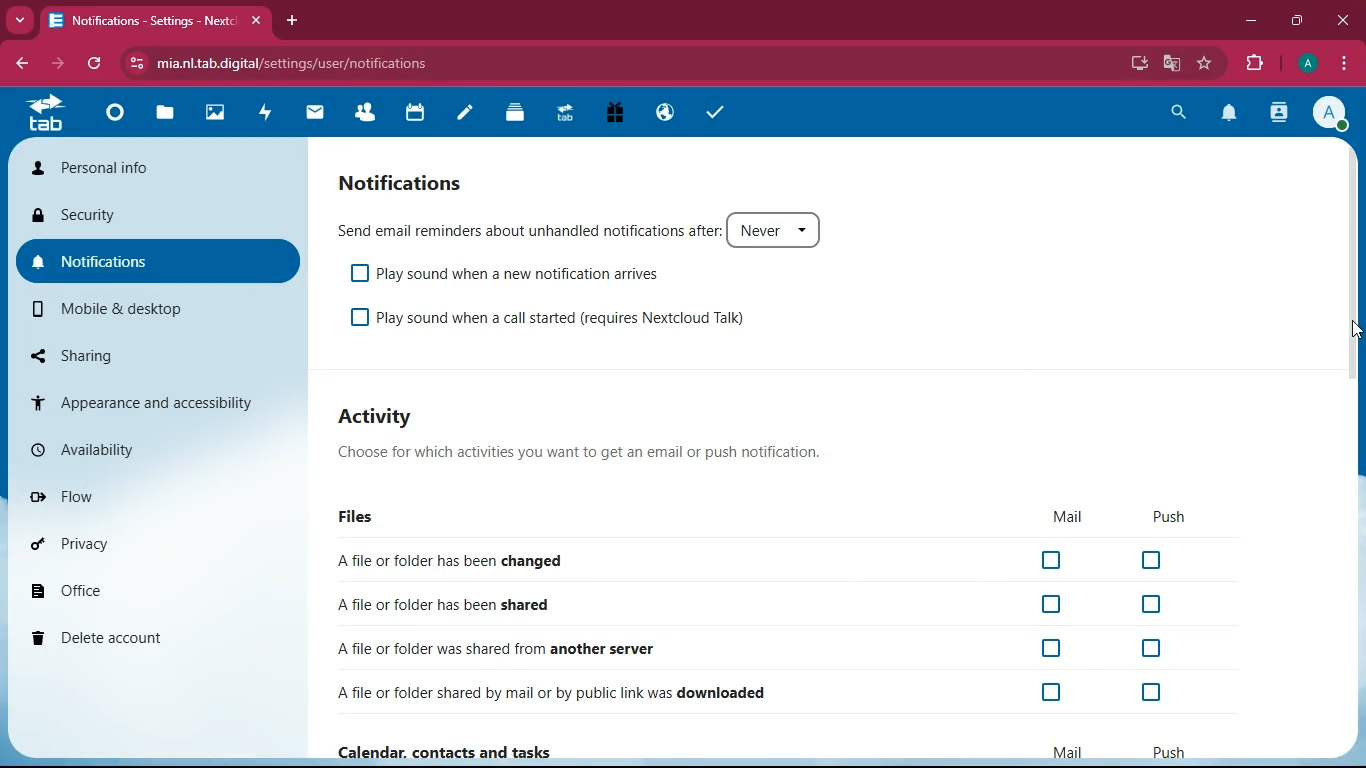 This screenshot has width=1366, height=768. I want to click on favorite, so click(1204, 64).